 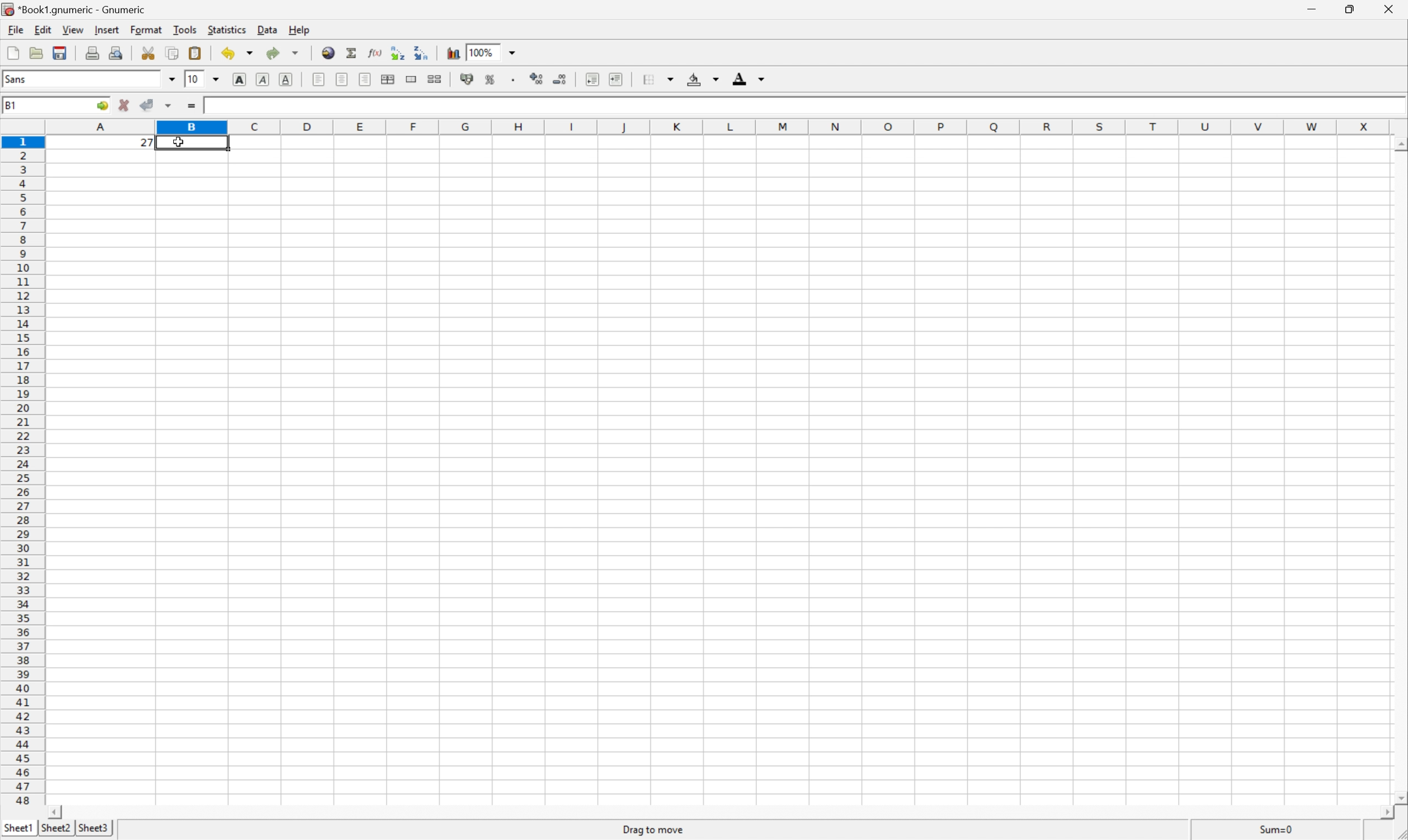 I want to click on Format the selection as percentage, so click(x=490, y=79).